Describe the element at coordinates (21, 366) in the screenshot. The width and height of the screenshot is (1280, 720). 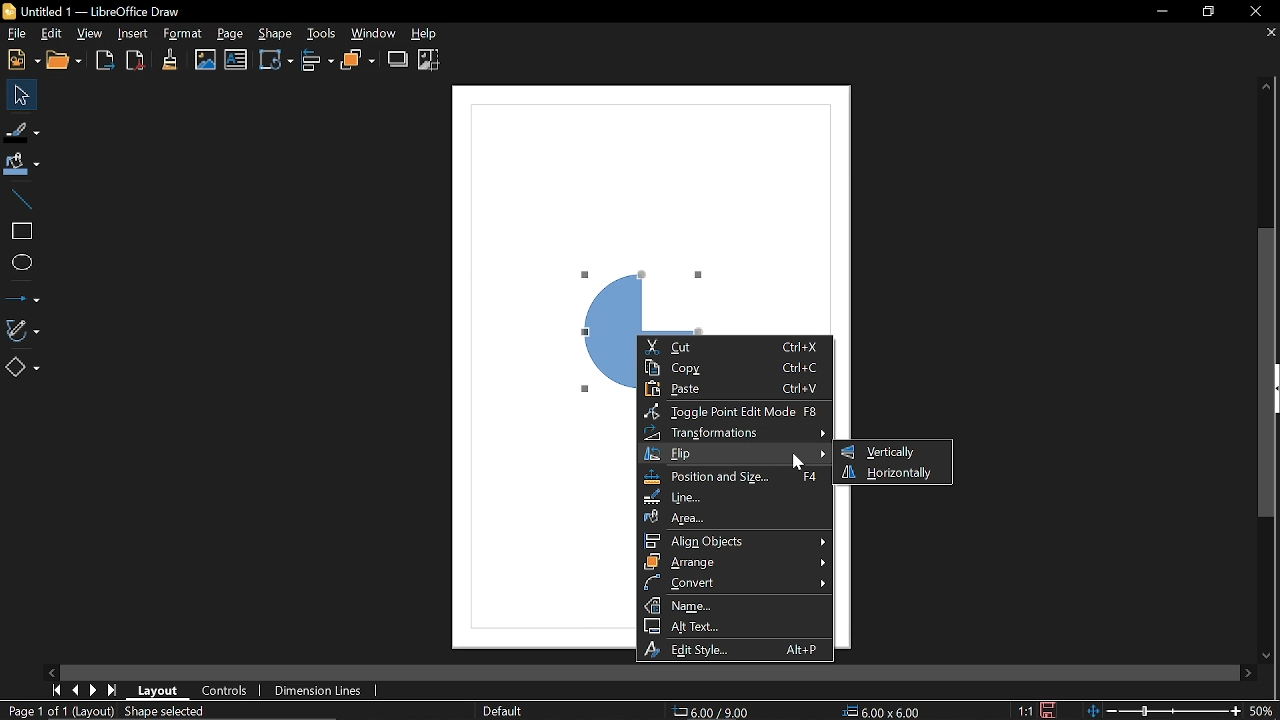
I see `Basic shapes` at that location.